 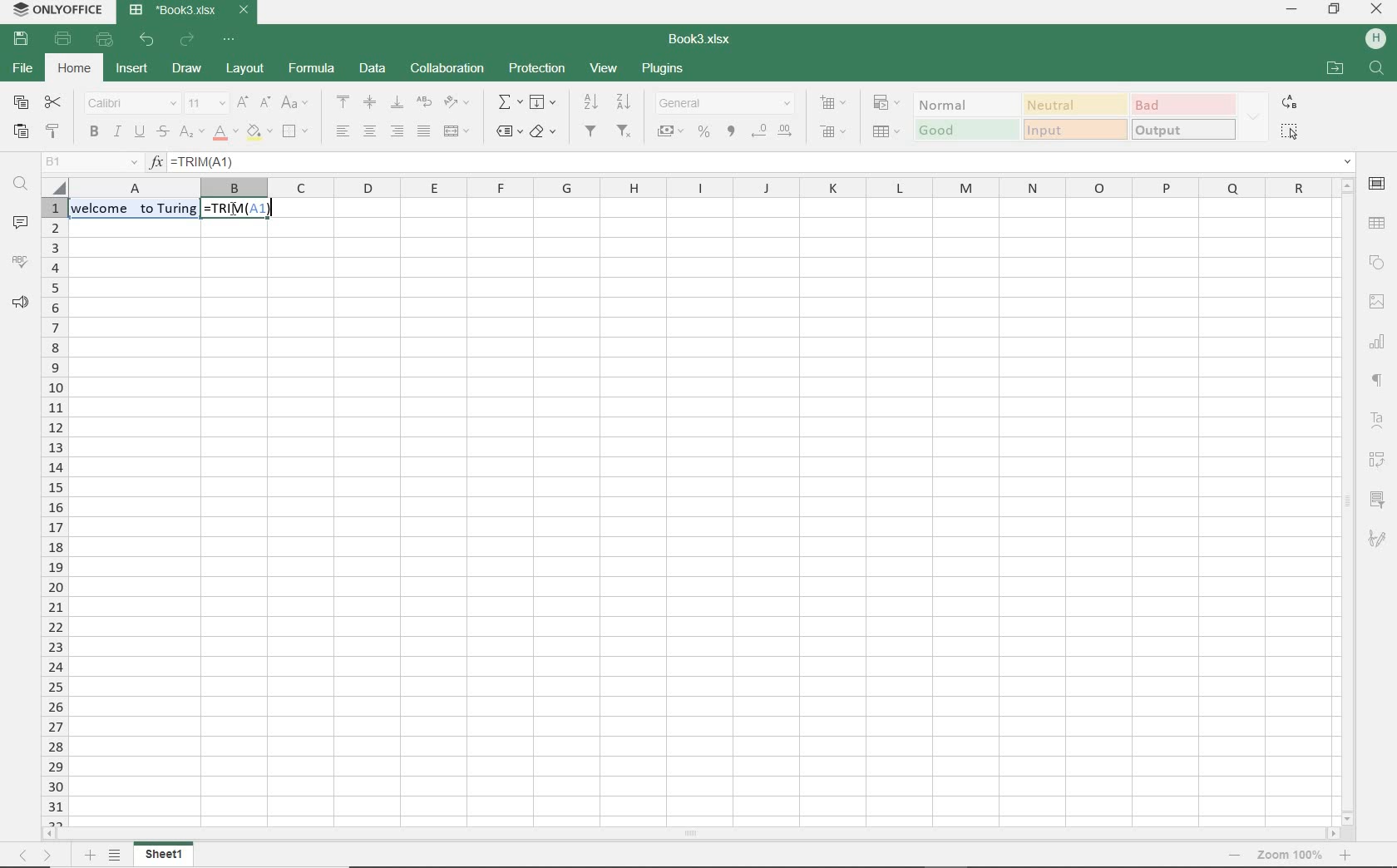 I want to click on system name, so click(x=56, y=11).